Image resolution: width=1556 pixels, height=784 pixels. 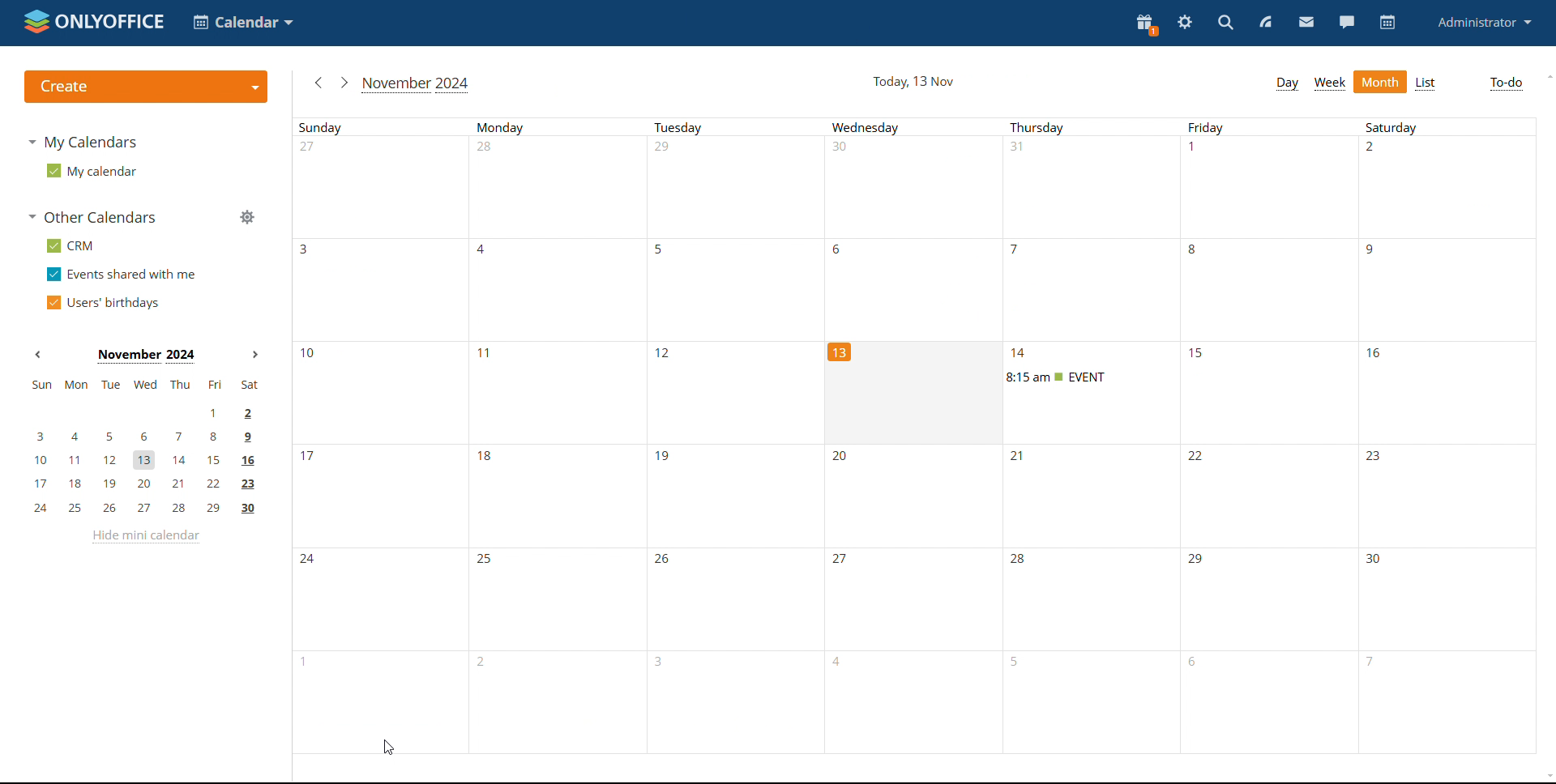 I want to click on crm, so click(x=68, y=246).